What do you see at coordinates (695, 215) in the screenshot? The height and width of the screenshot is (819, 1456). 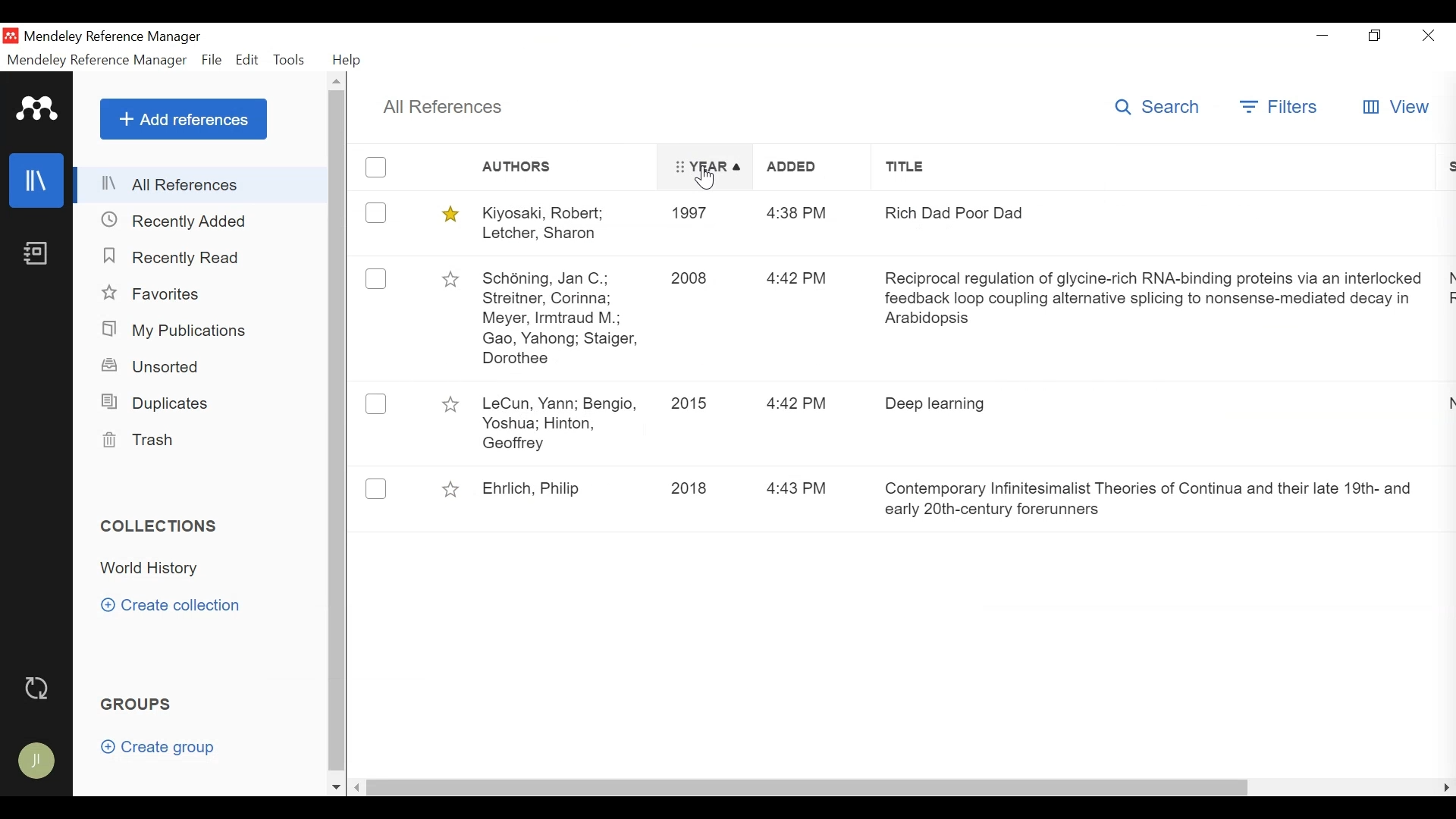 I see `1997` at bounding box center [695, 215].